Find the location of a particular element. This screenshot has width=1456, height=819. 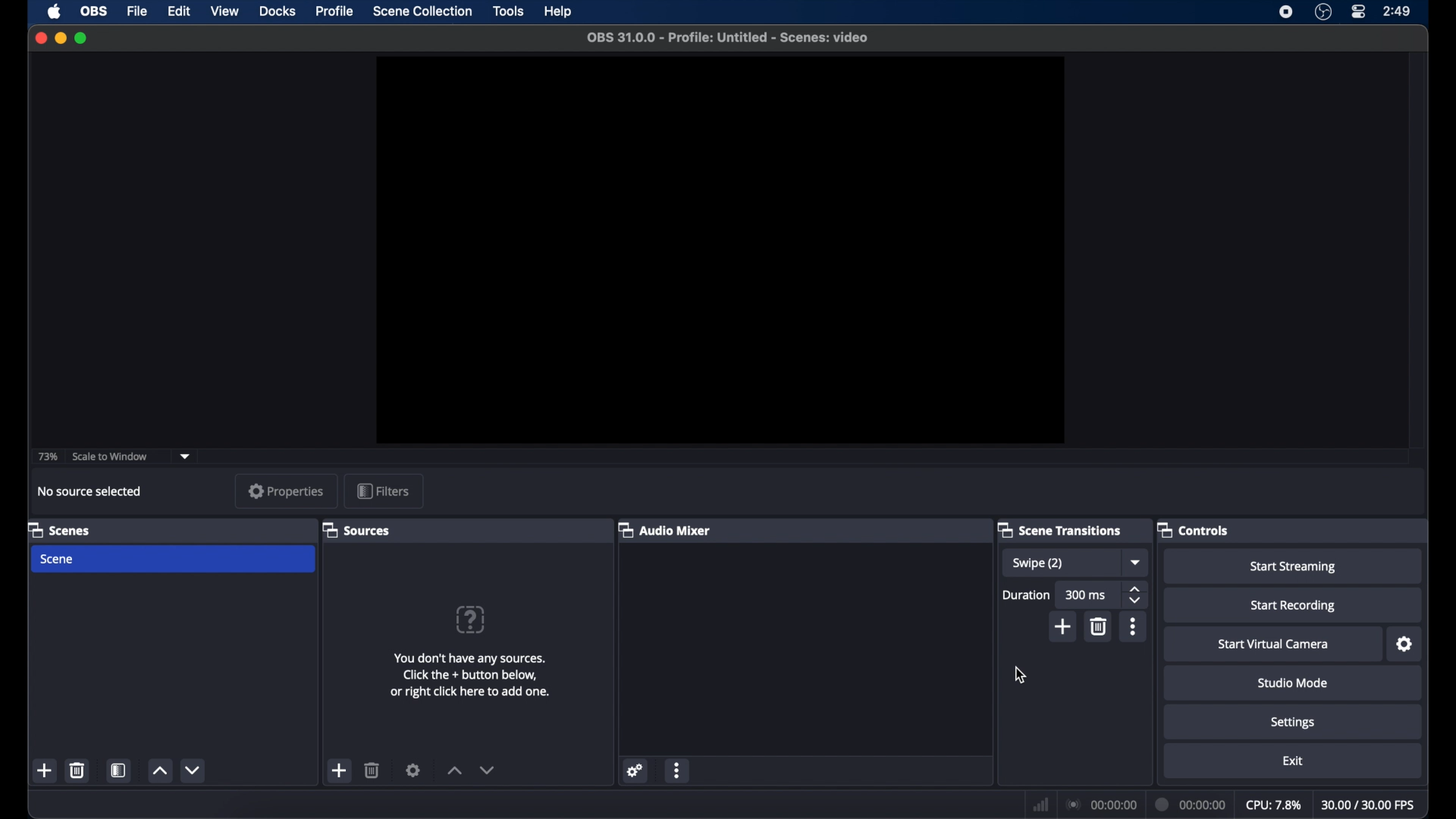

scenes is located at coordinates (59, 531).